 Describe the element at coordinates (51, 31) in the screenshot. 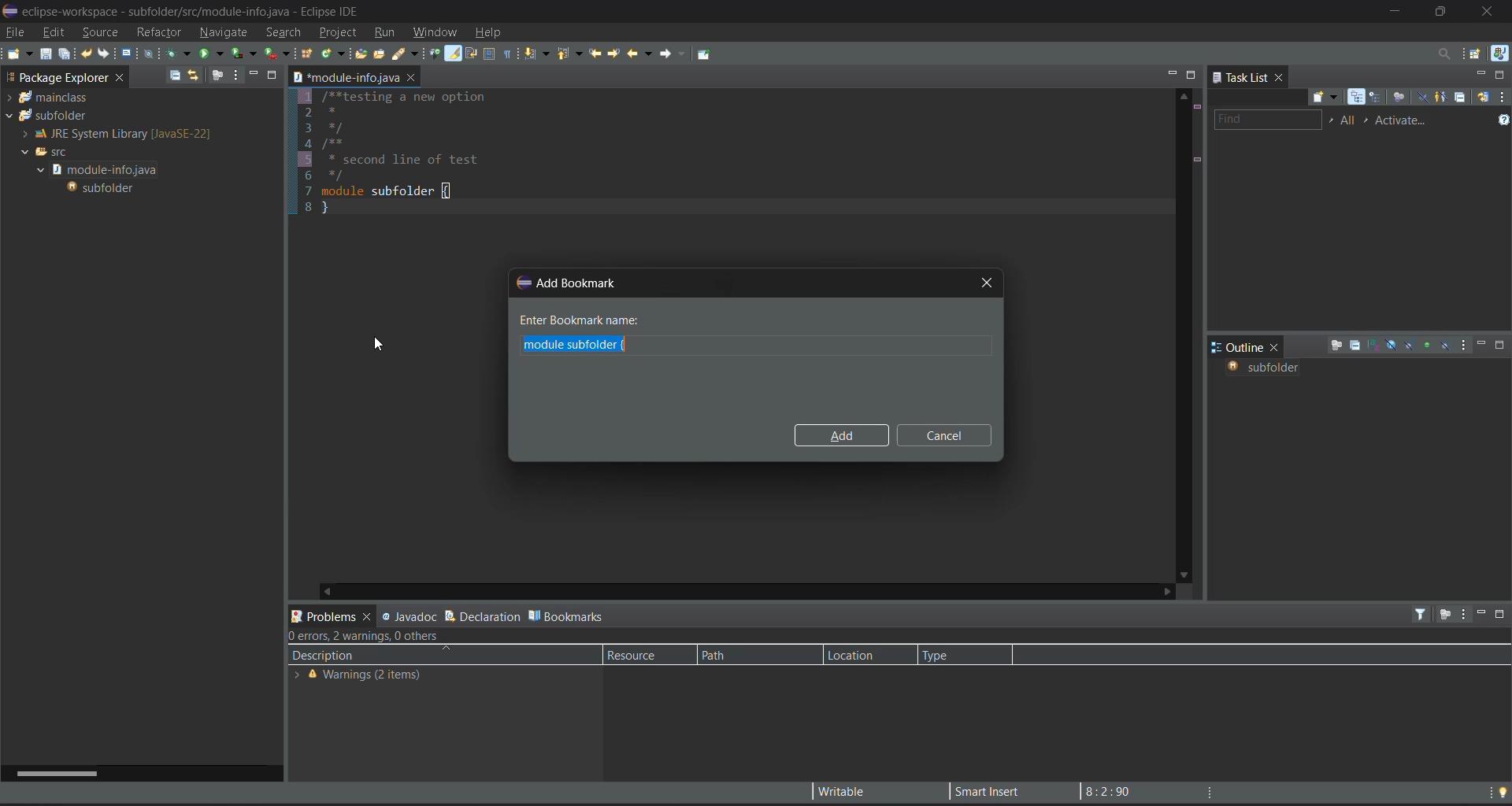

I see `edit` at that location.